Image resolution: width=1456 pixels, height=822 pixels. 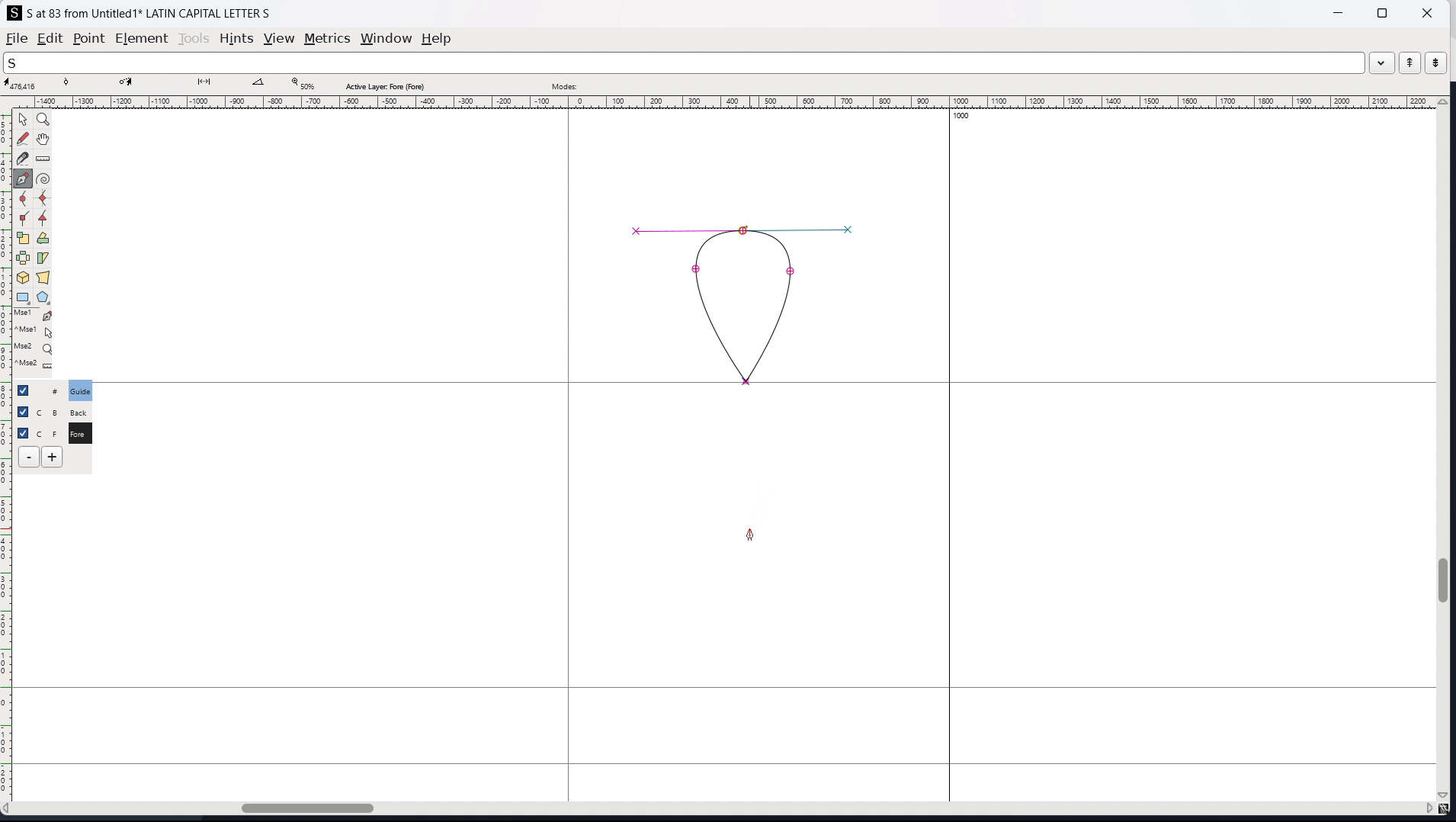 What do you see at coordinates (44, 298) in the screenshot?
I see `polygon and stars` at bounding box center [44, 298].